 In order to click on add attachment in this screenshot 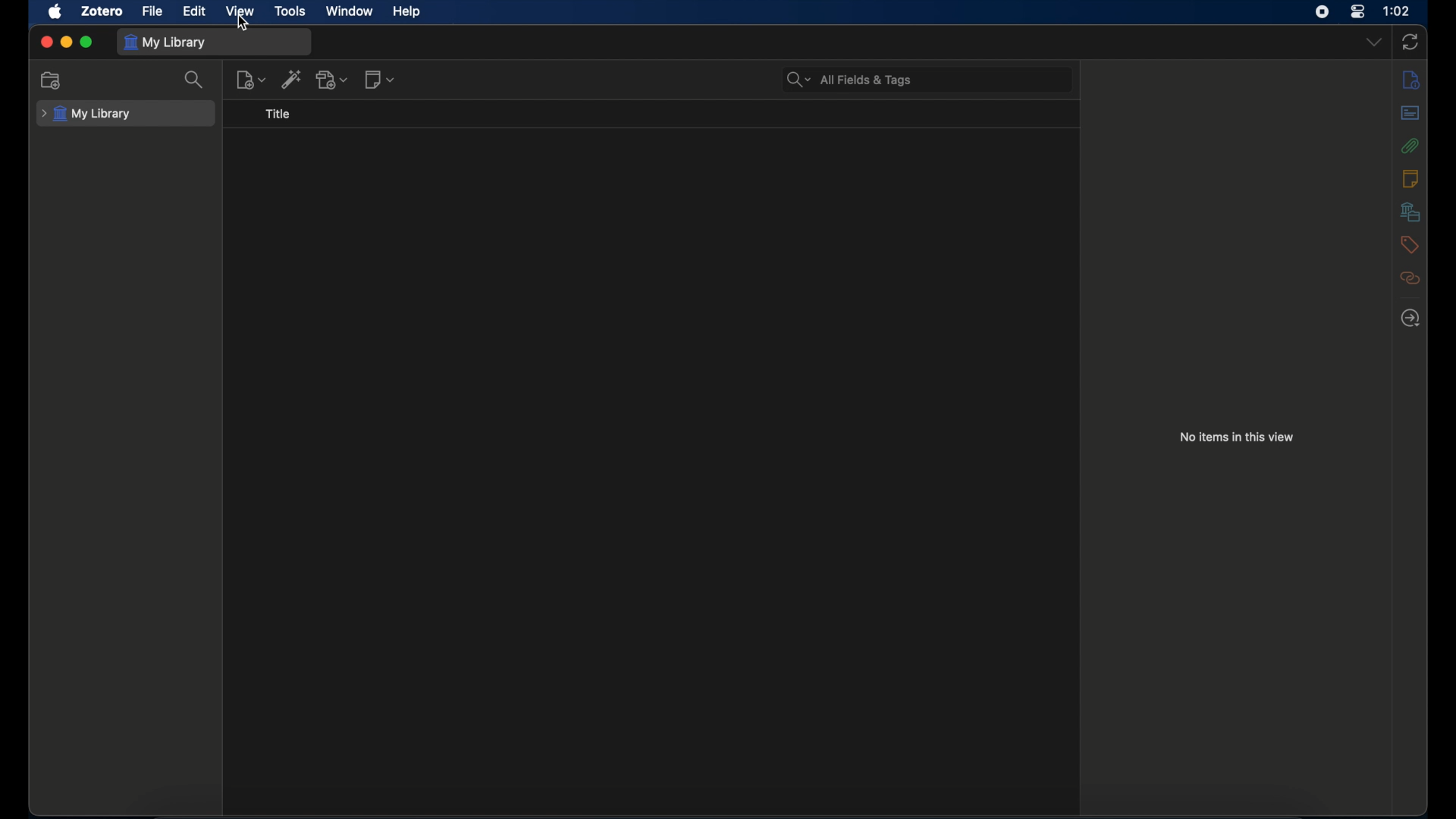, I will do `click(333, 80)`.